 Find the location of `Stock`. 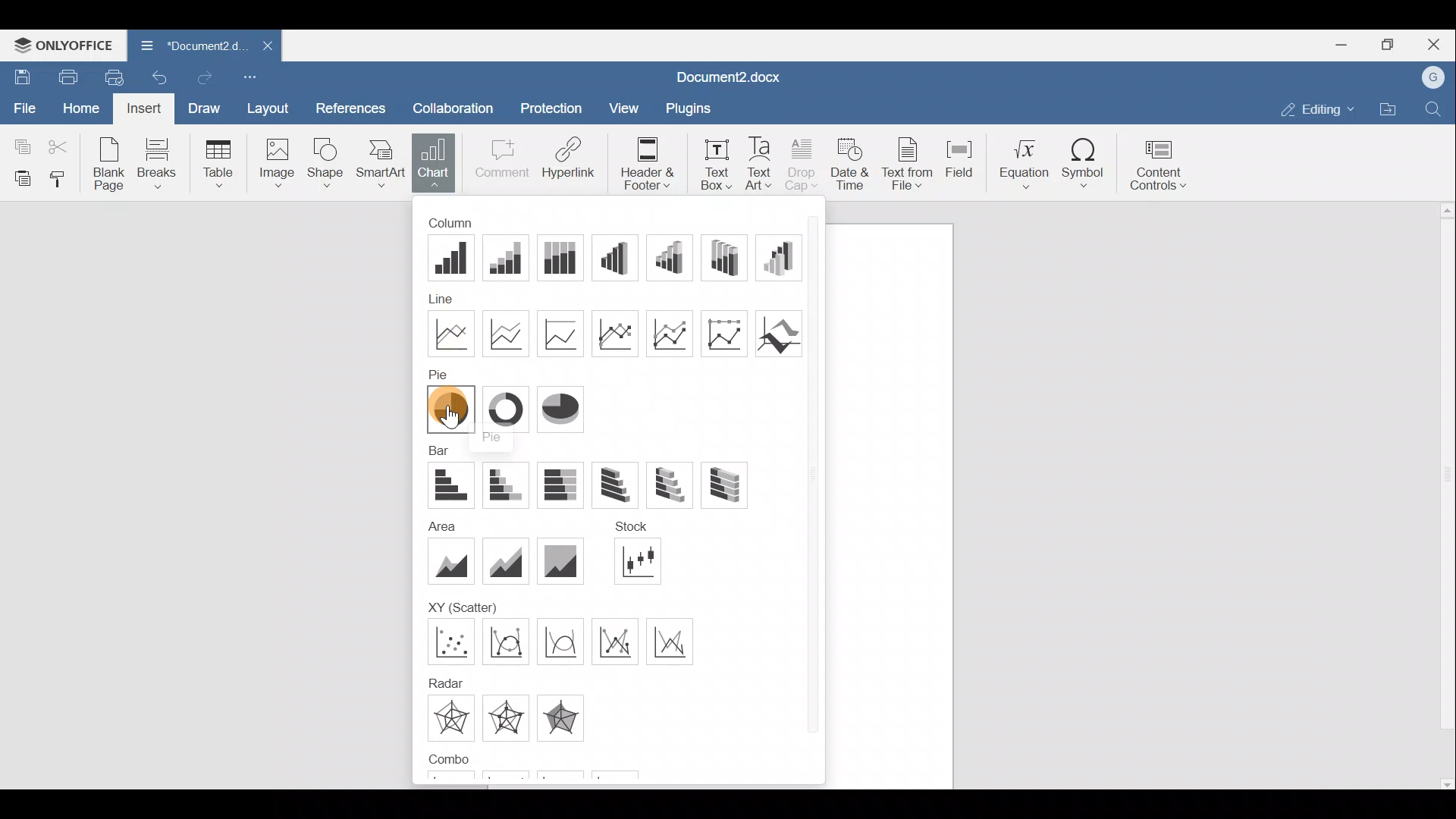

Stock is located at coordinates (638, 559).